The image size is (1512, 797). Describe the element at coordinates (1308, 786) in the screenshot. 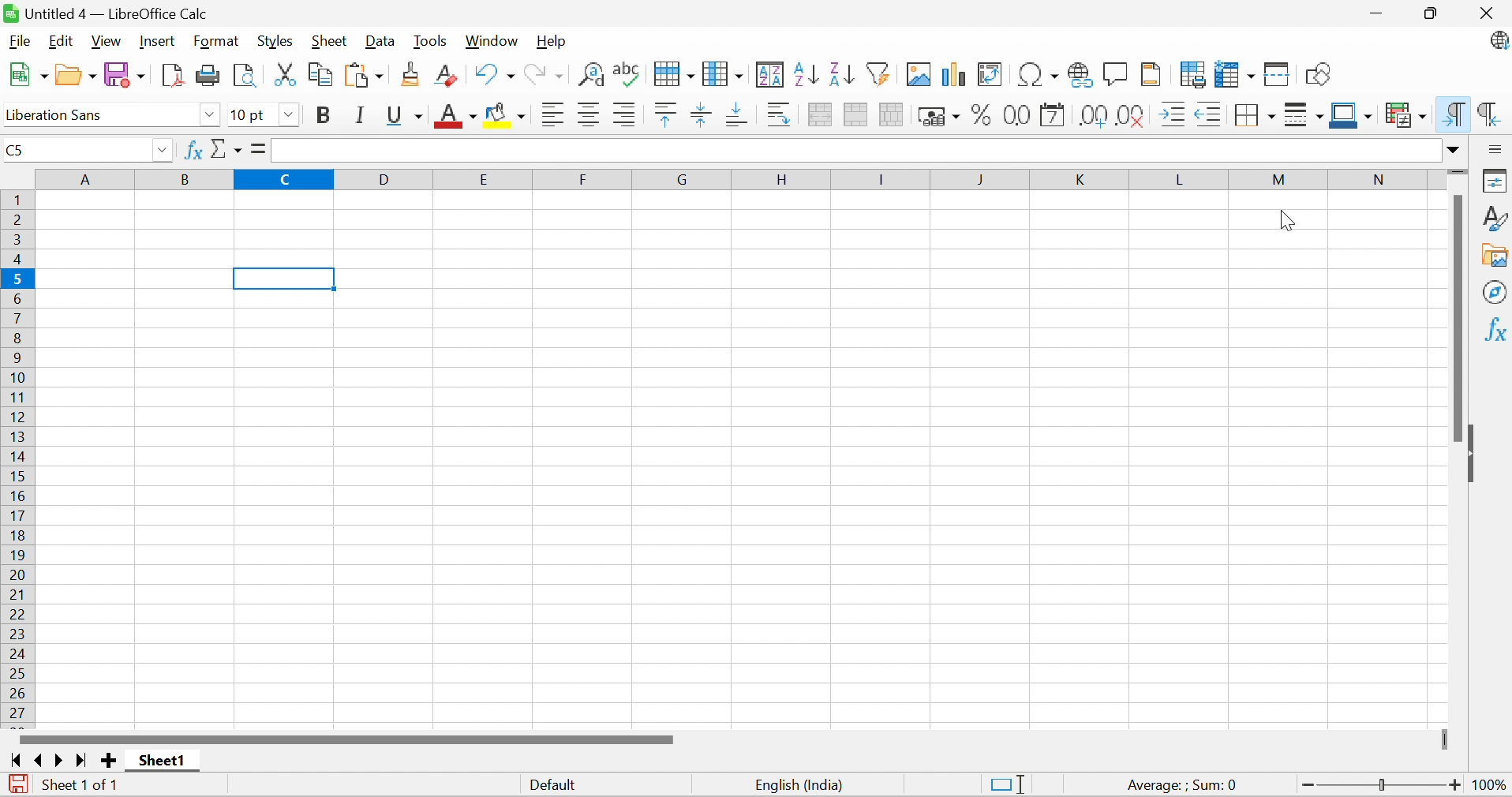

I see `Zoom out` at that location.